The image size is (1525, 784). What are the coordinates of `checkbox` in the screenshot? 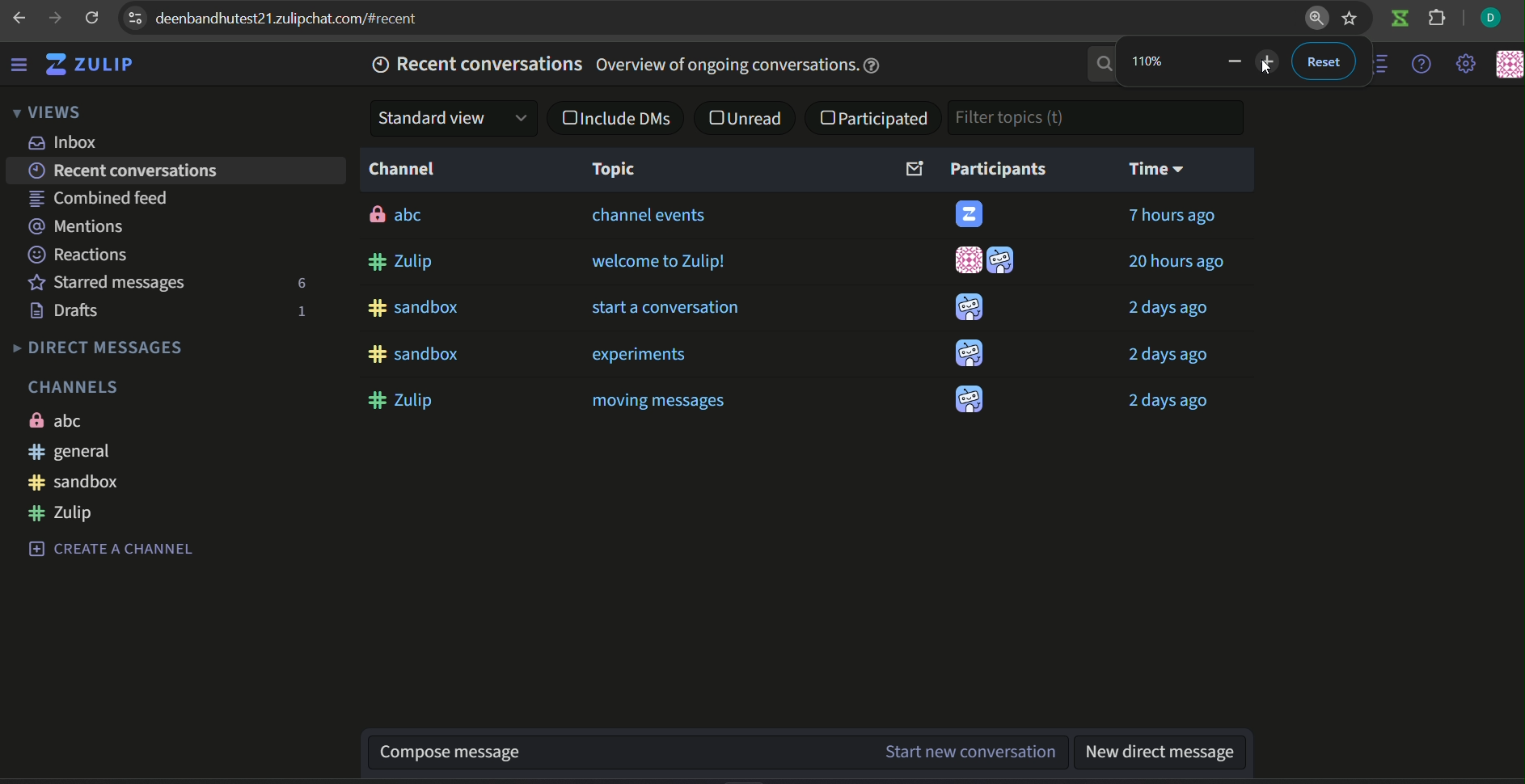 It's located at (747, 120).